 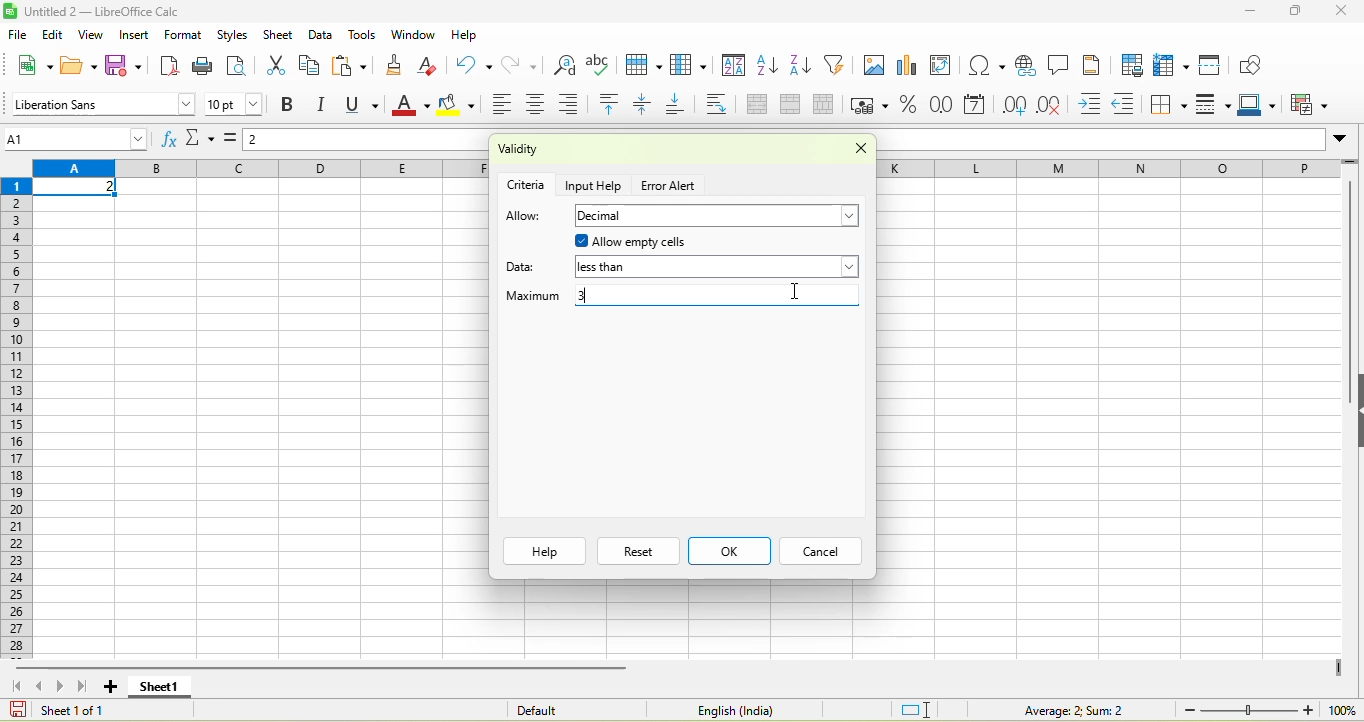 I want to click on delete decimal, so click(x=1057, y=106).